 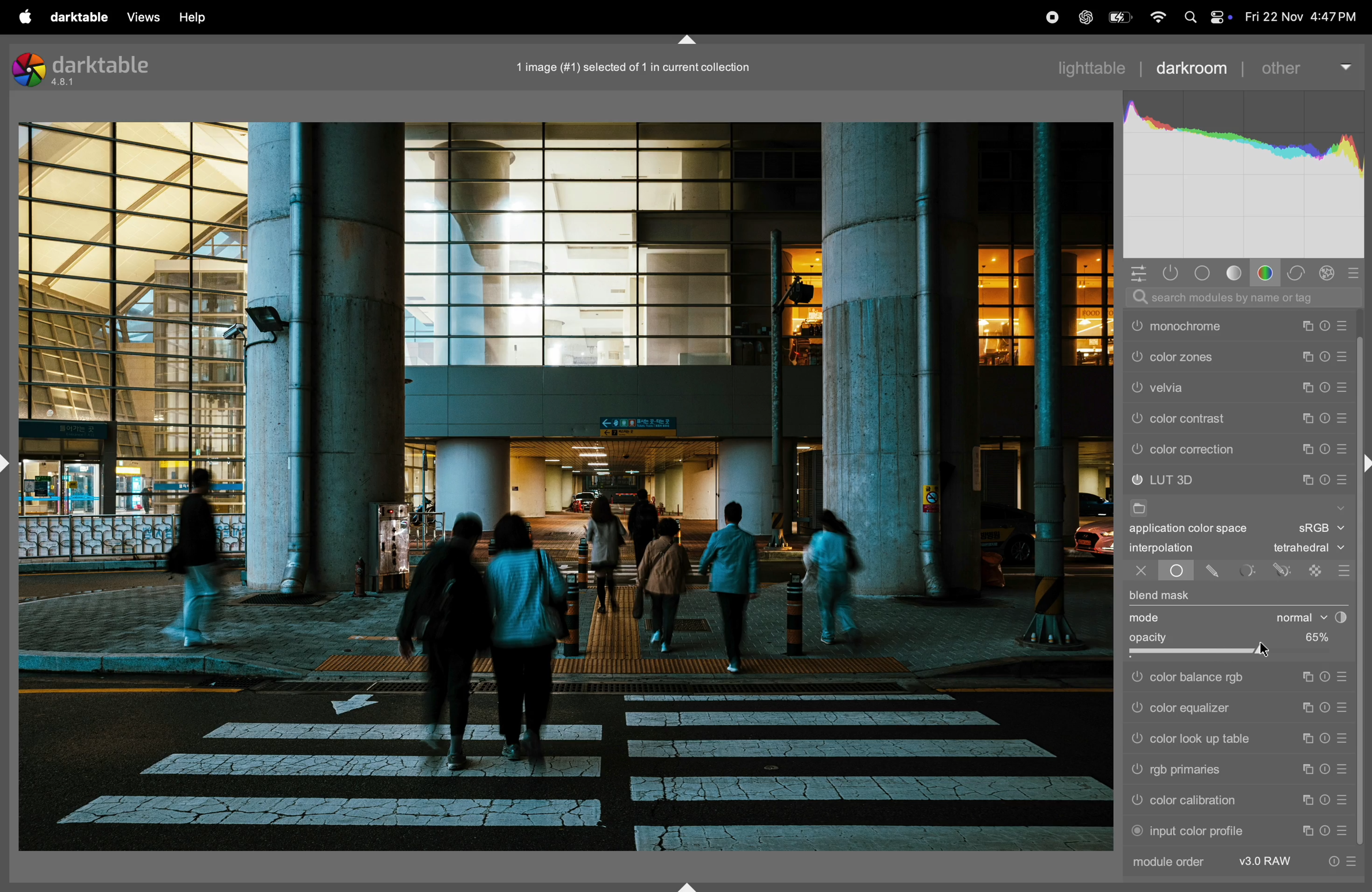 I want to click on color balance rgb switched off, so click(x=1136, y=678).